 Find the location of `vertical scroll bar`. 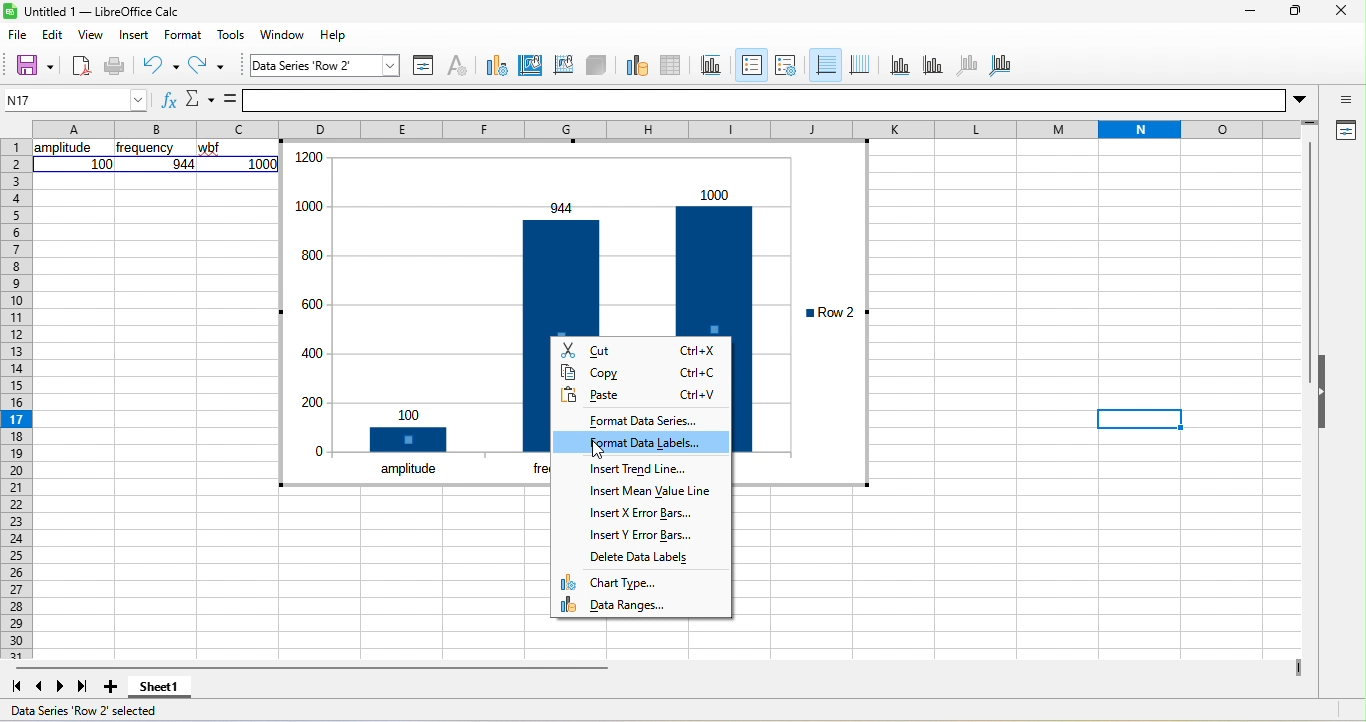

vertical scroll bar is located at coordinates (1312, 243).